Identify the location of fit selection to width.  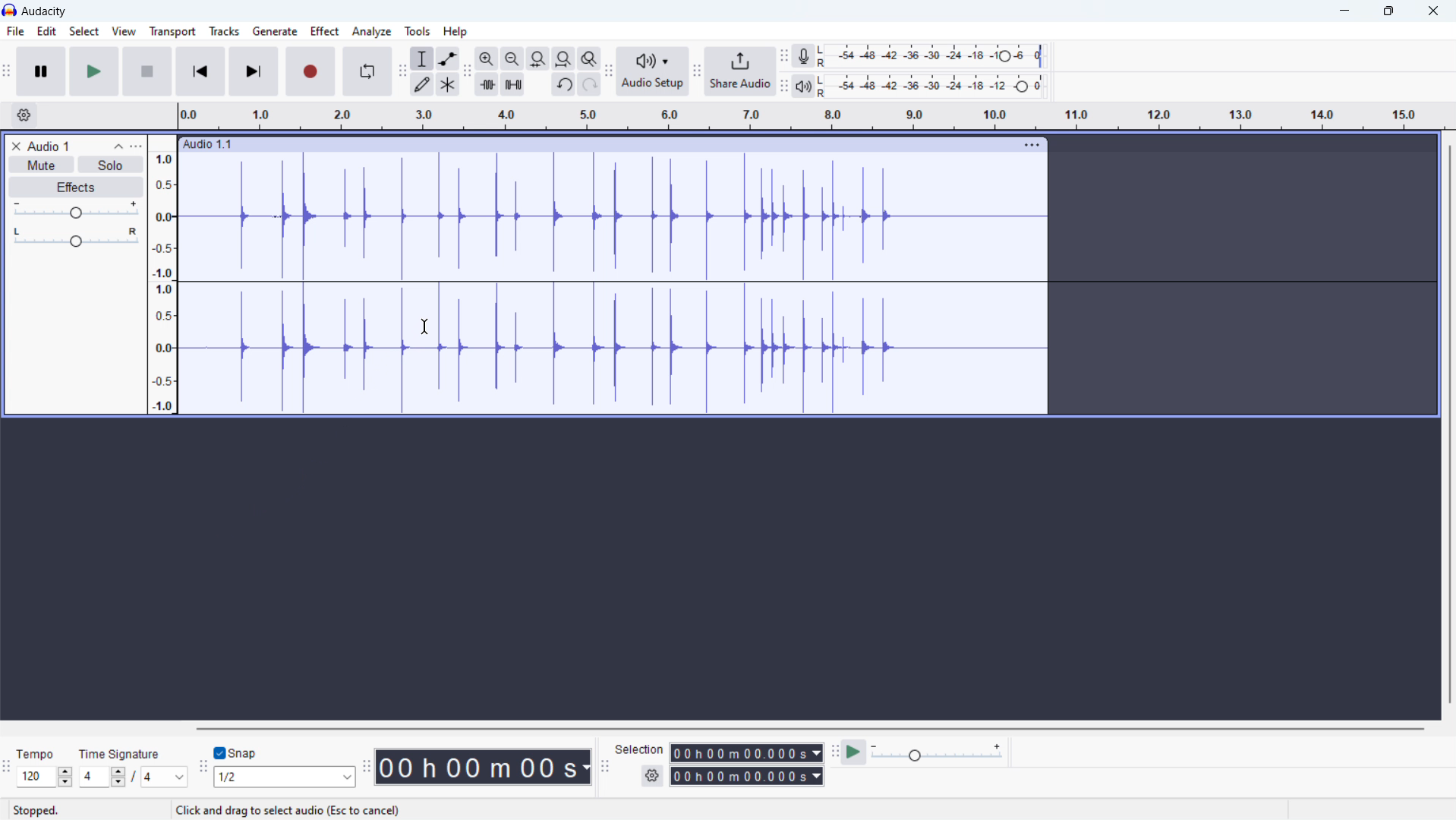
(537, 58).